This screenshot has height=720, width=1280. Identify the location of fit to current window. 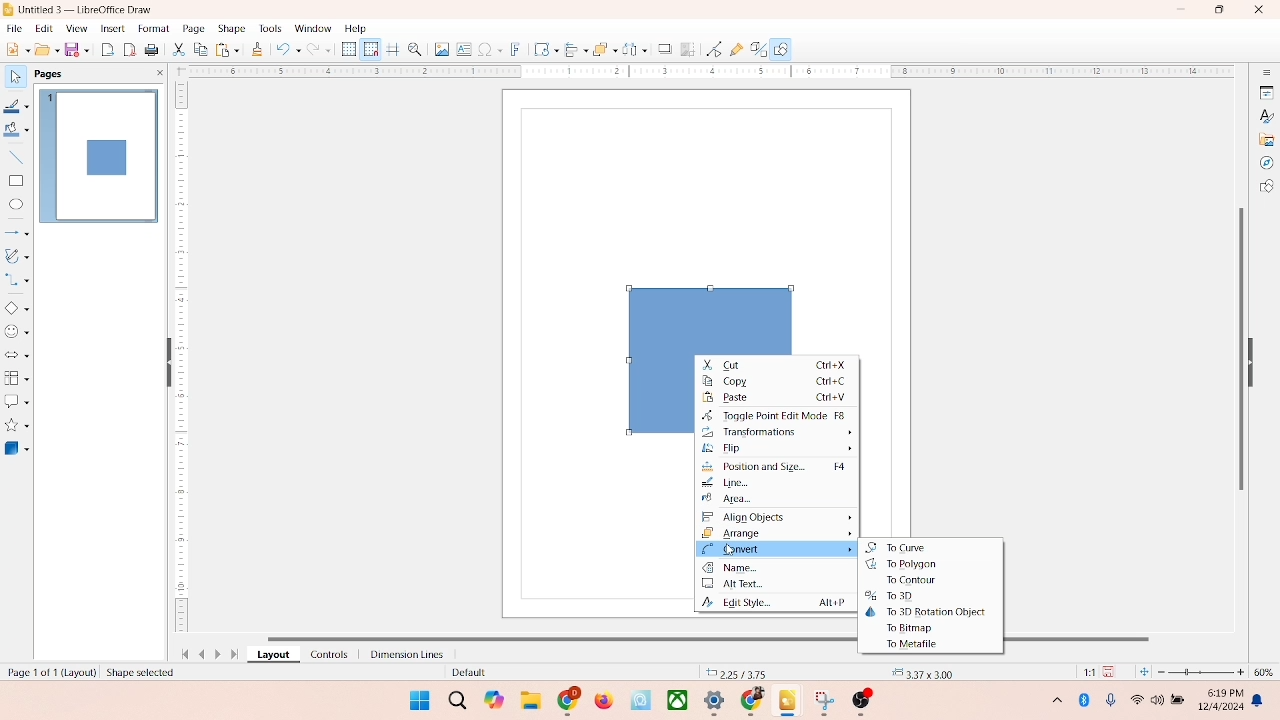
(1143, 672).